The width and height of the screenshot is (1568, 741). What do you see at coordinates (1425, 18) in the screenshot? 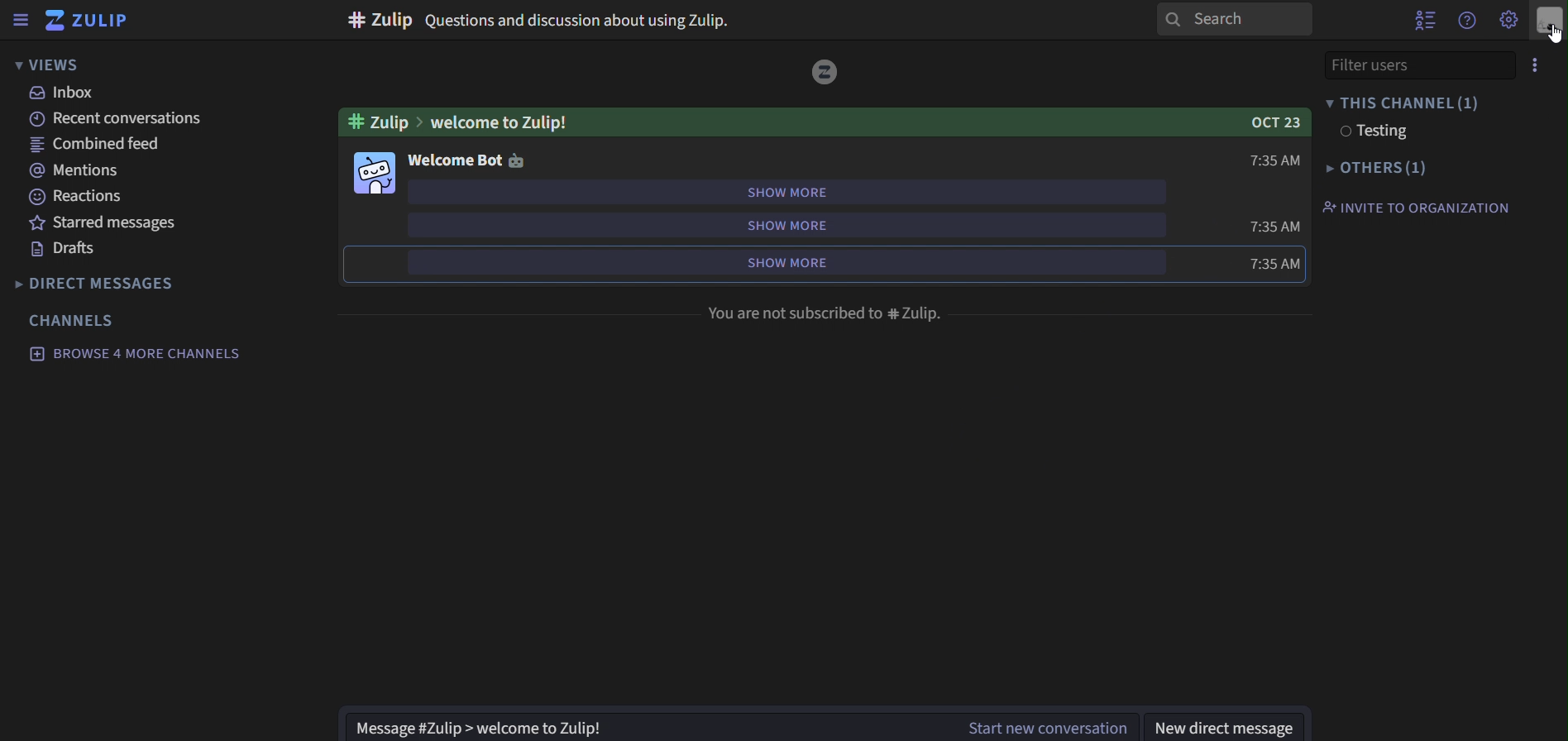
I see `hide user list` at bounding box center [1425, 18].